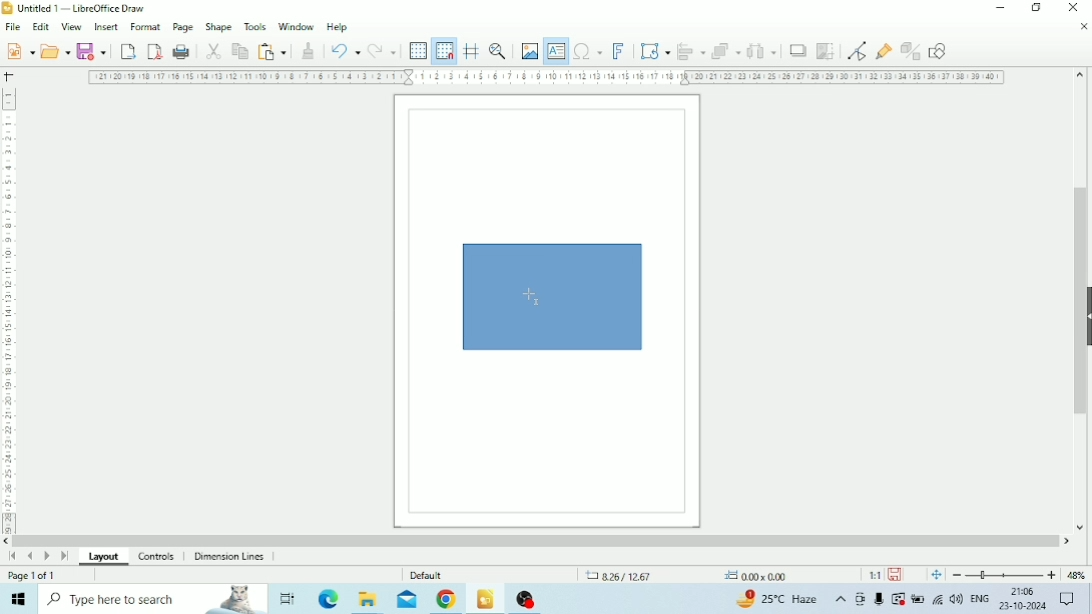  I want to click on Mic, so click(879, 600).